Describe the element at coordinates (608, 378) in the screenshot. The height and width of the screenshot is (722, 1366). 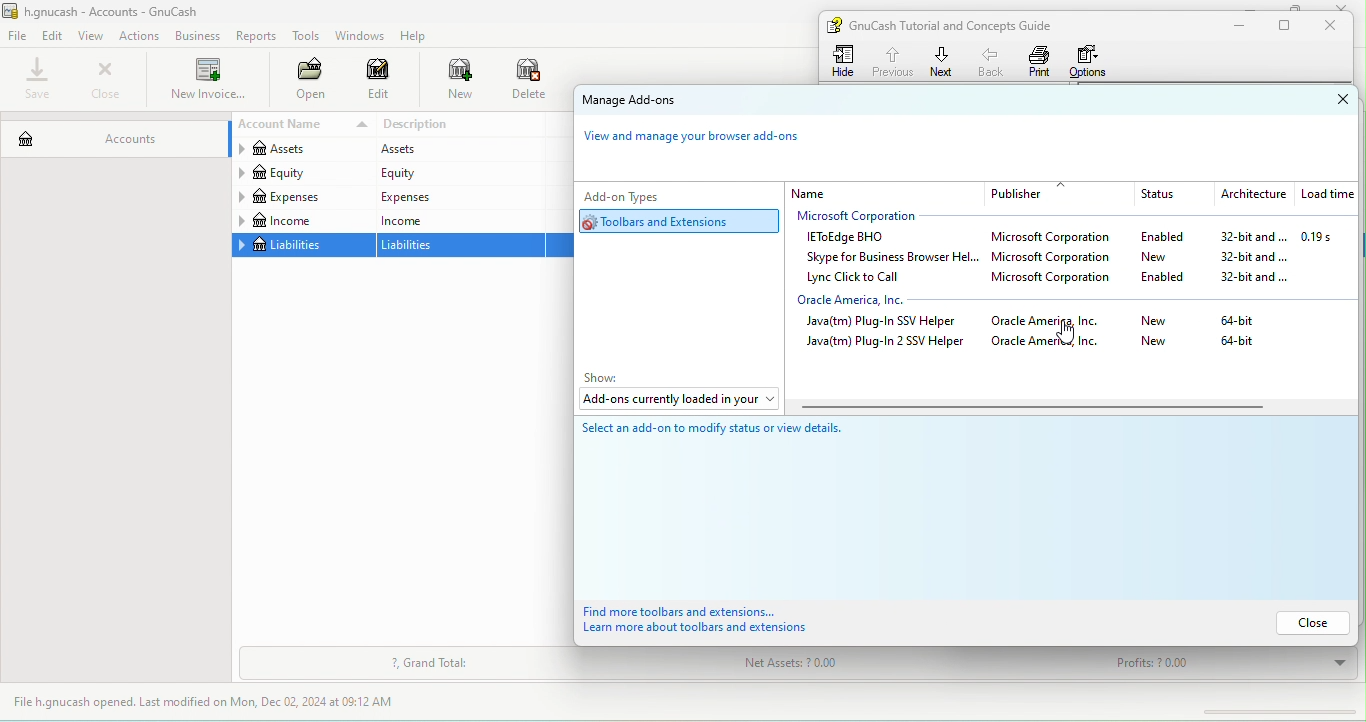
I see `show` at that location.